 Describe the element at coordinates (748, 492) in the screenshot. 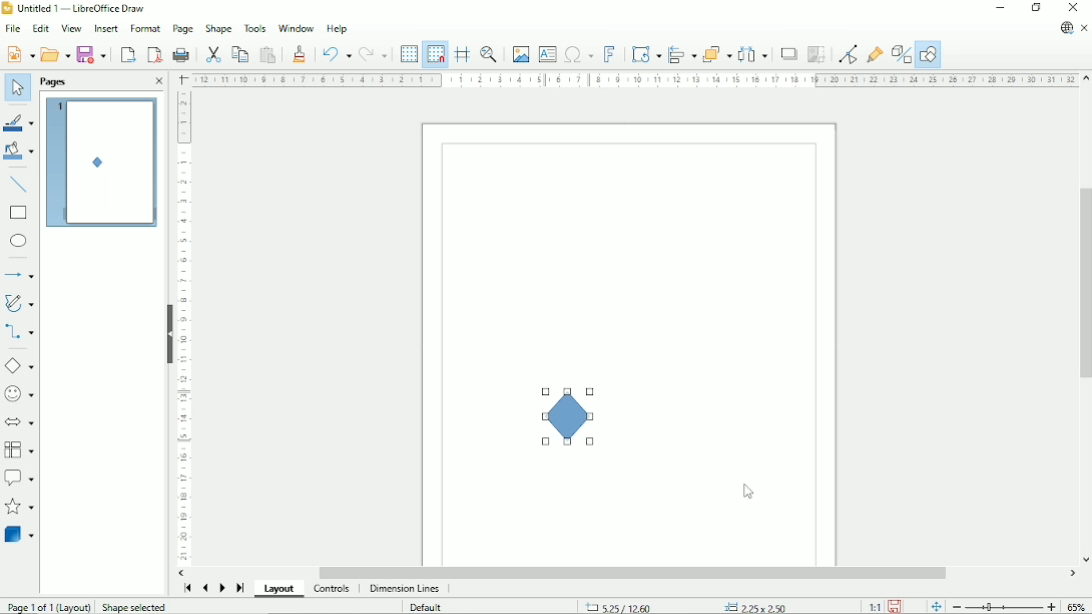

I see `Cursor` at that location.